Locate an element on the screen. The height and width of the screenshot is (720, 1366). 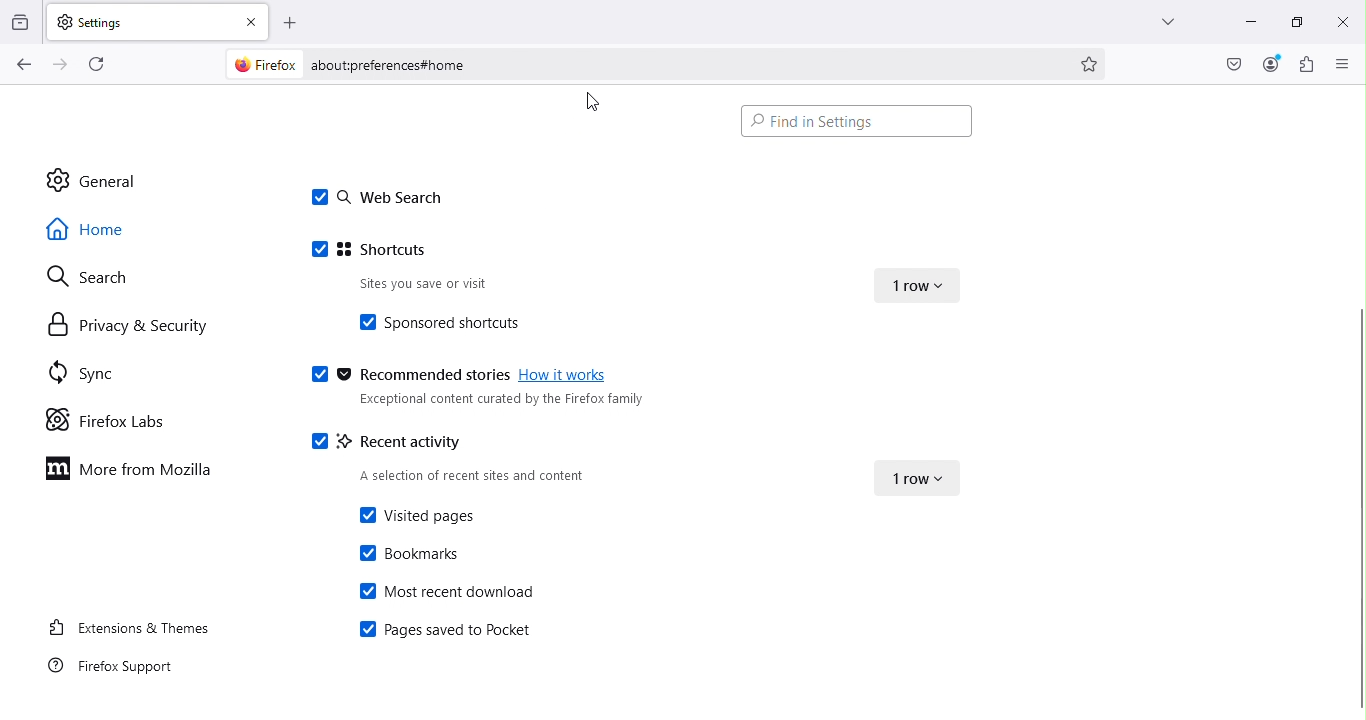
Drop down menu is located at coordinates (921, 281).